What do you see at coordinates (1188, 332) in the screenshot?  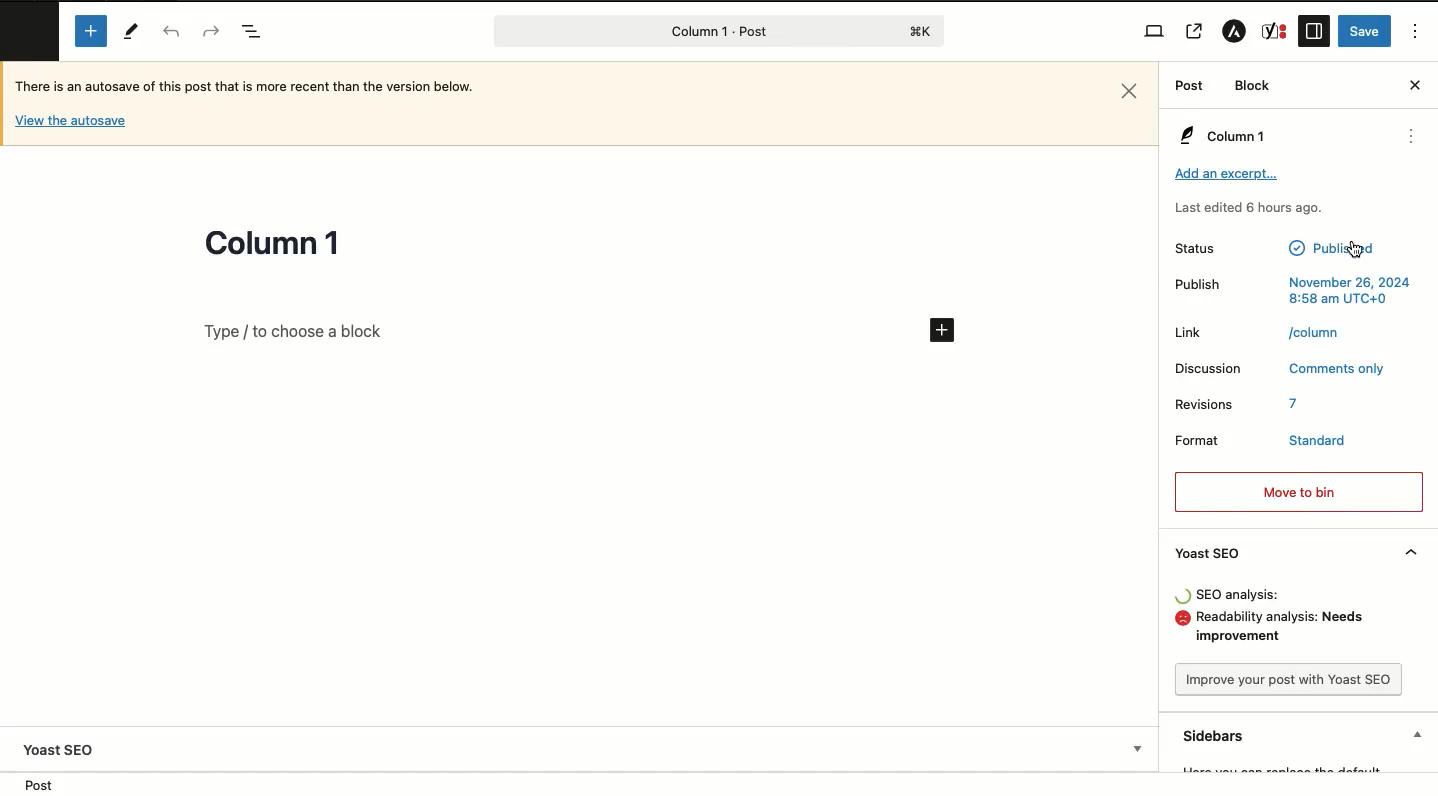 I see `Link` at bounding box center [1188, 332].